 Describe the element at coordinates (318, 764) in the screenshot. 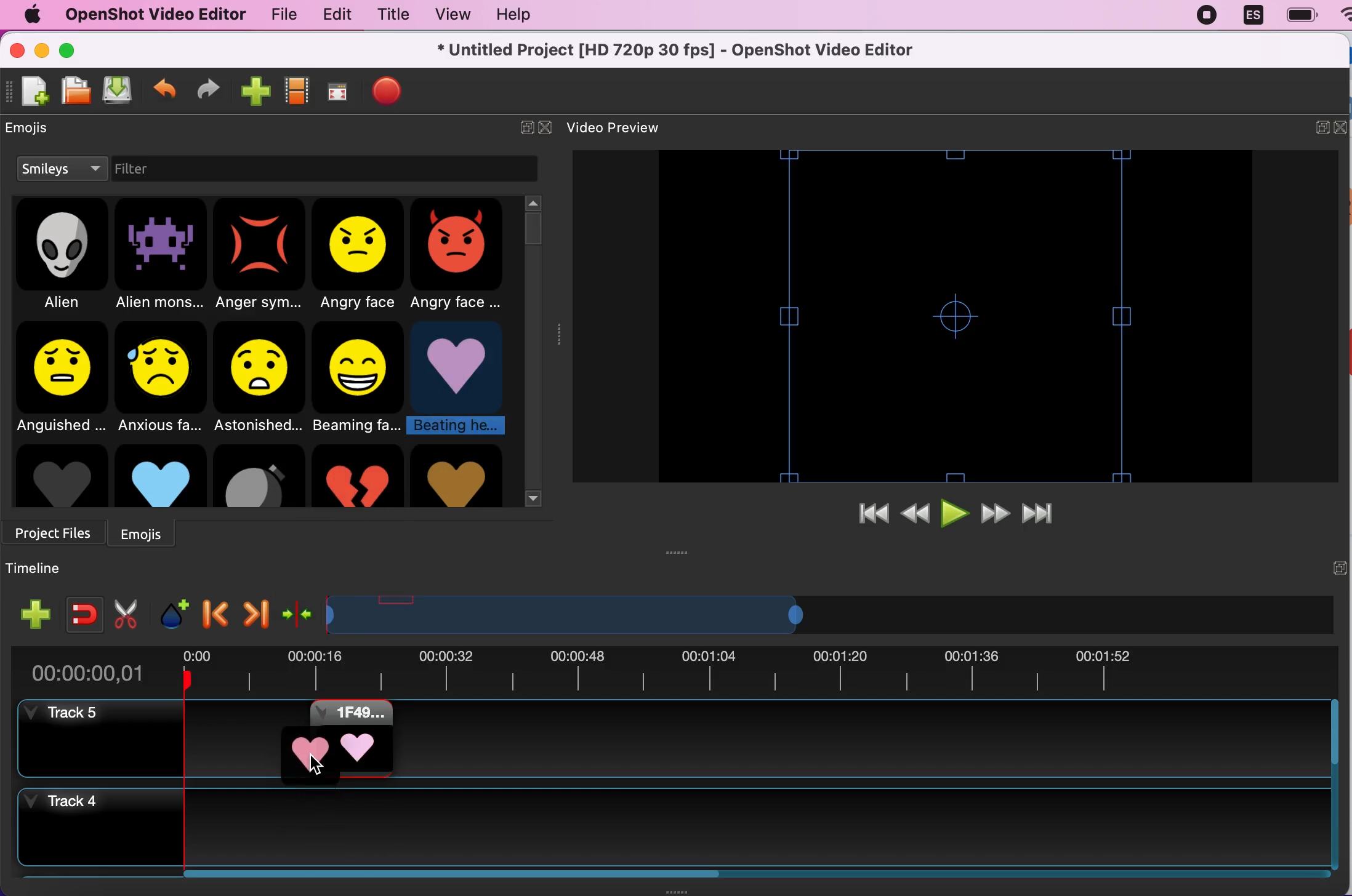

I see `cursor` at that location.